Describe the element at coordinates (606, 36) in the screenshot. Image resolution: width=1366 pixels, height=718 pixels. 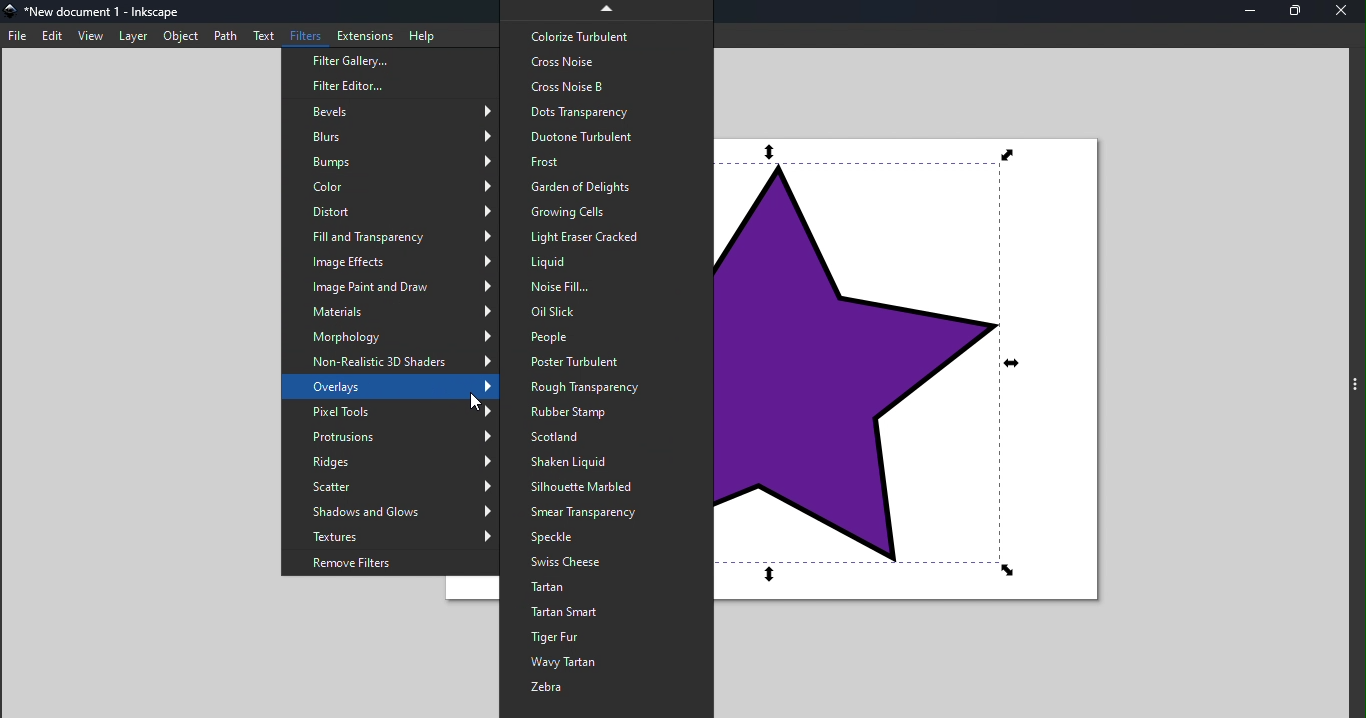
I see `Colorize turbulent ` at that location.